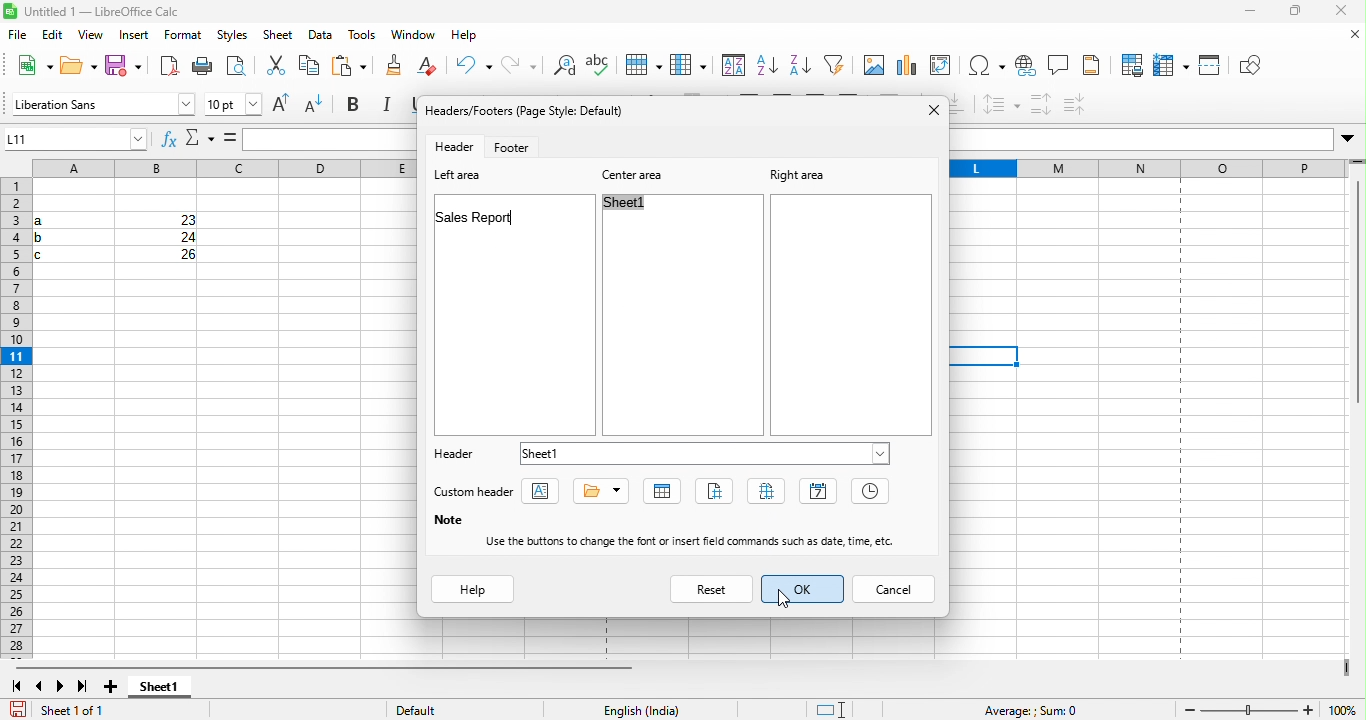 This screenshot has width=1366, height=720. I want to click on minimize, so click(1252, 13).